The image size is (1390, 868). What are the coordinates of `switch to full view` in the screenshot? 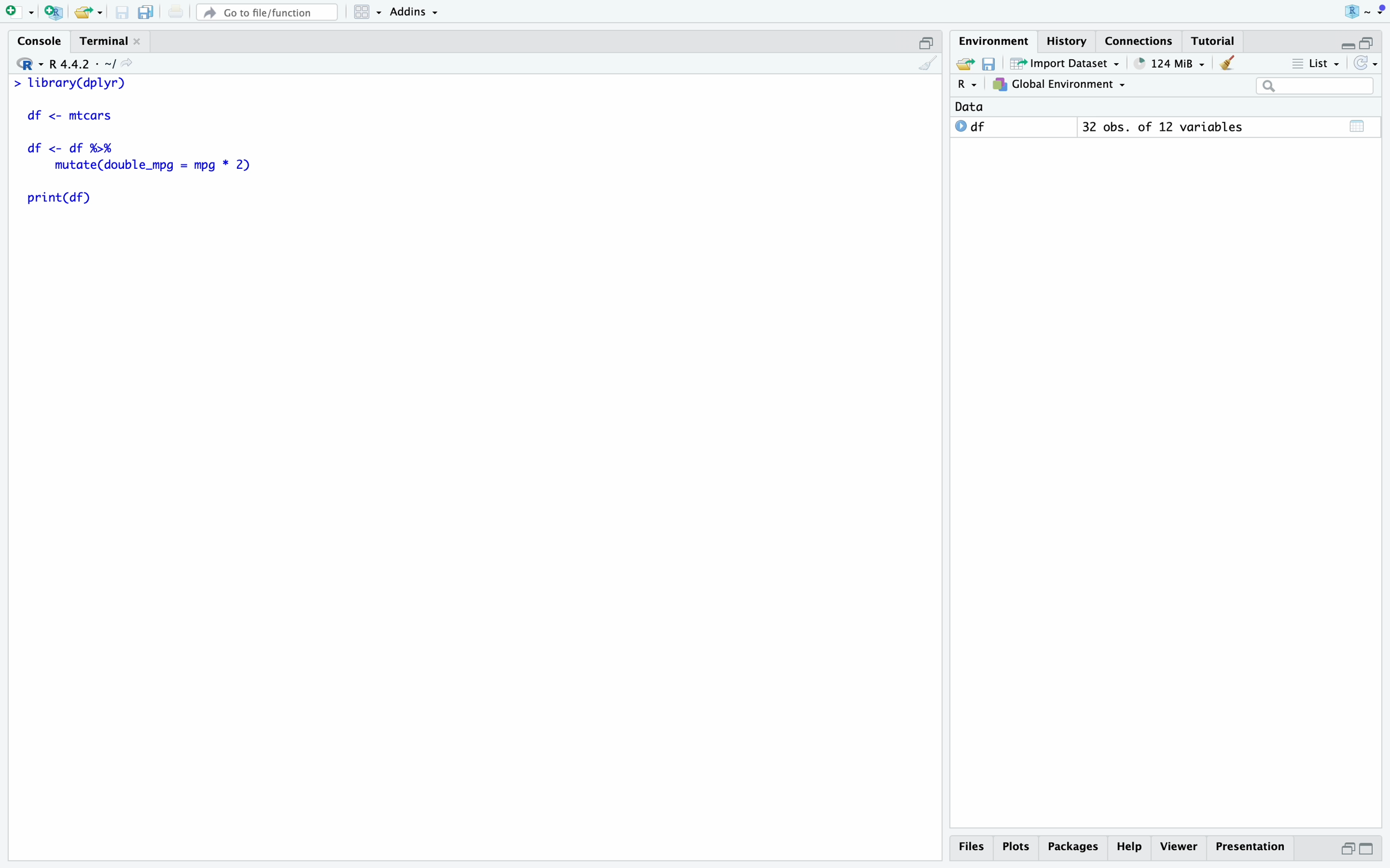 It's located at (1368, 850).